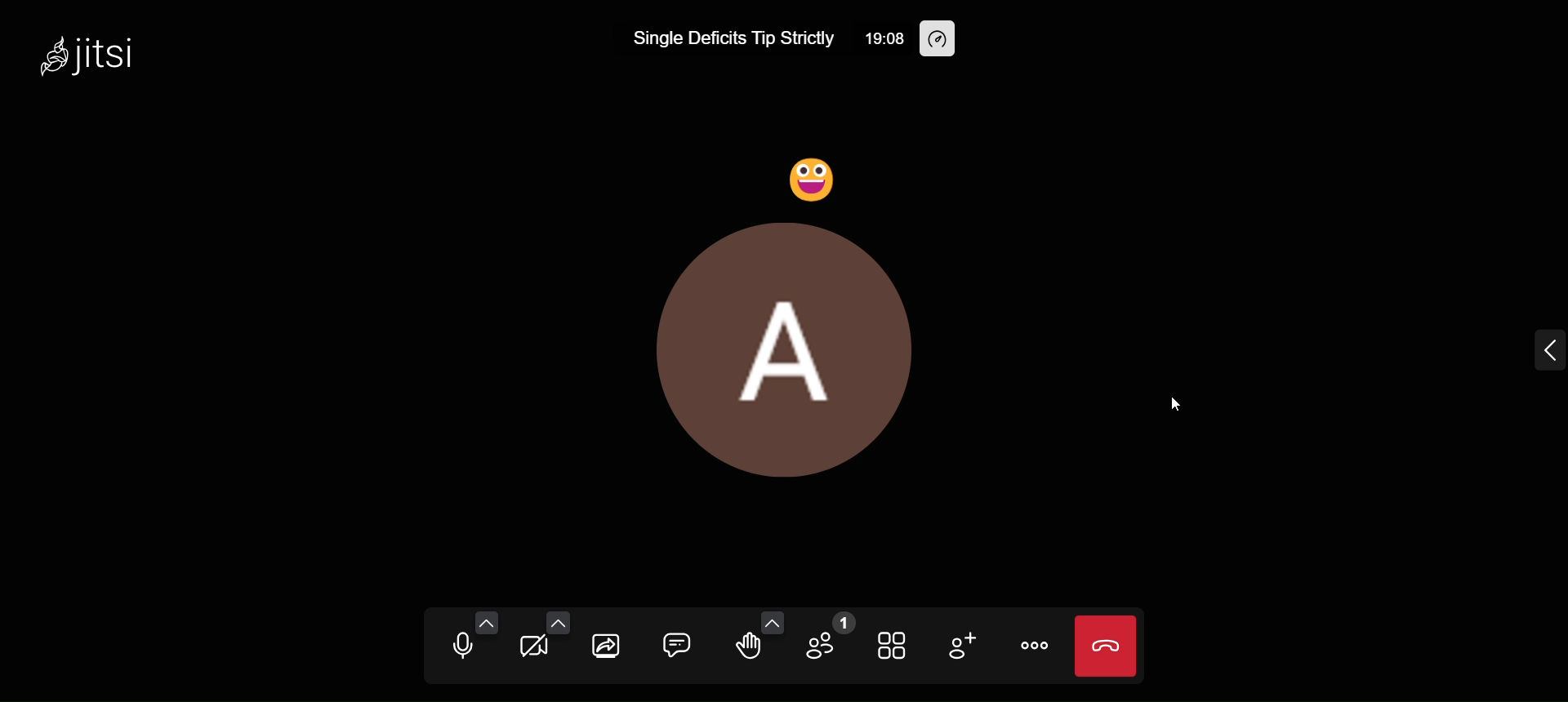 The height and width of the screenshot is (702, 1568). I want to click on participants, so click(830, 637).